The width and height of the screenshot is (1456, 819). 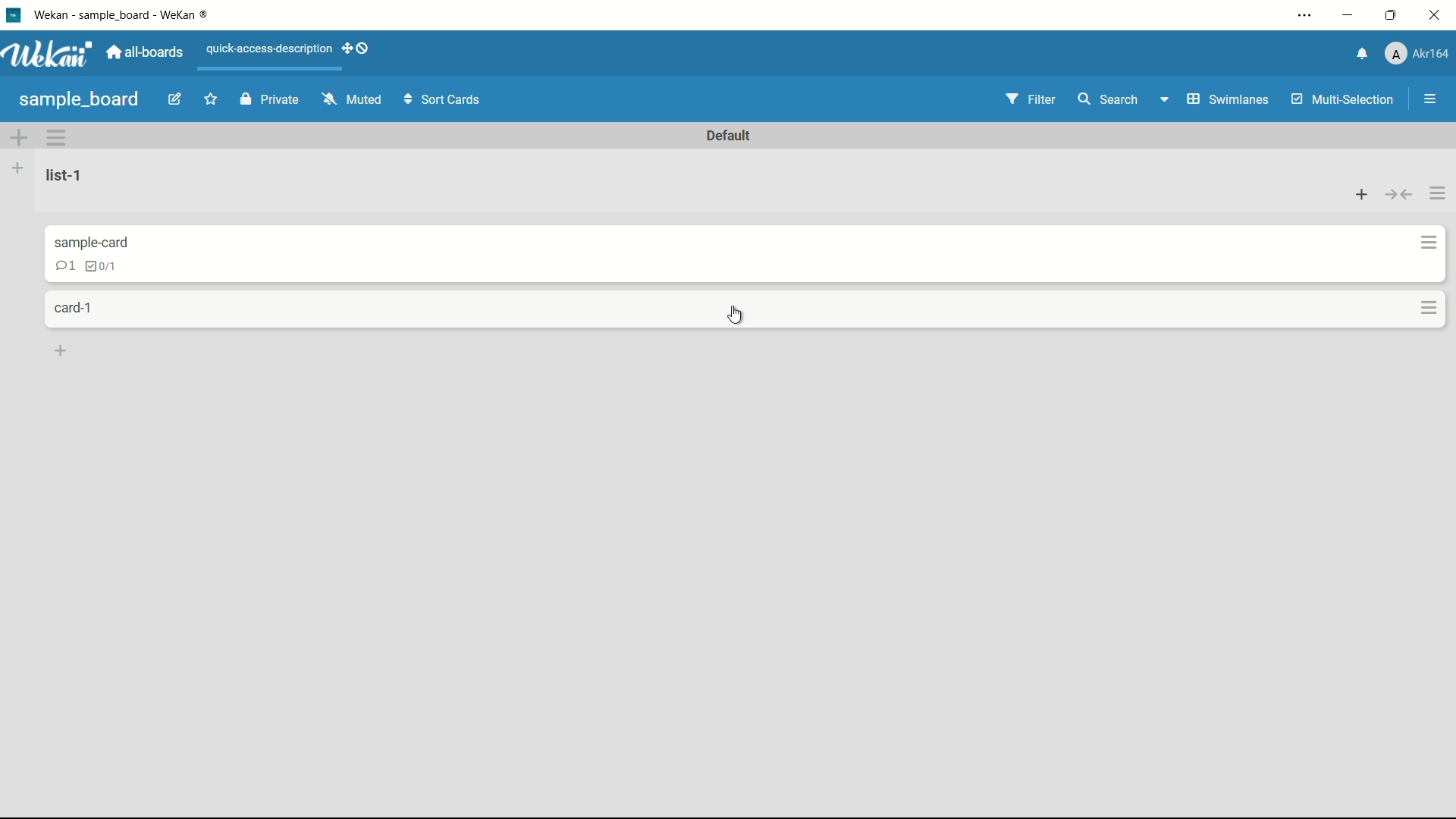 I want to click on checklist, so click(x=99, y=266).